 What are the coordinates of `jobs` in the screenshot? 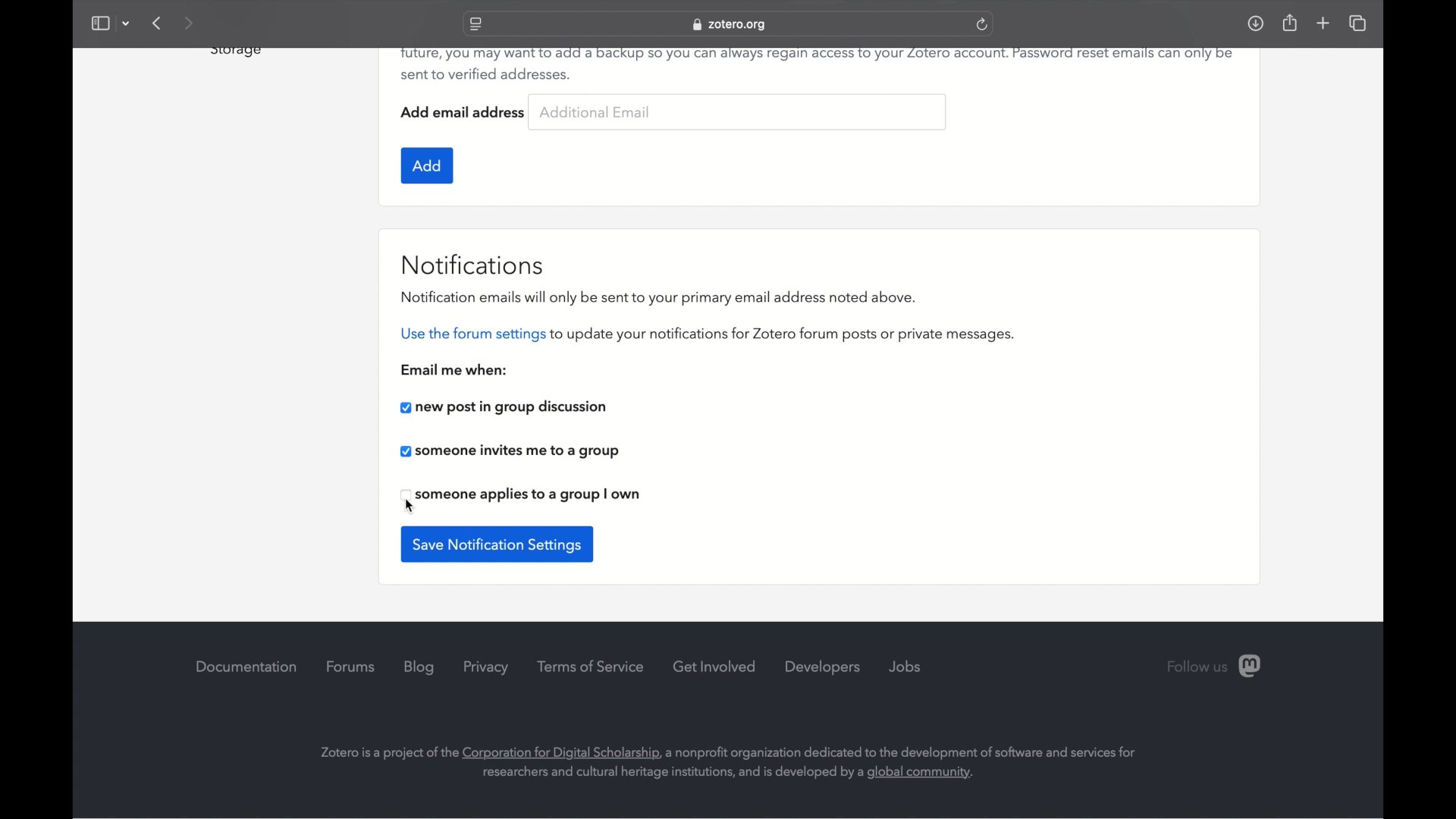 It's located at (905, 665).